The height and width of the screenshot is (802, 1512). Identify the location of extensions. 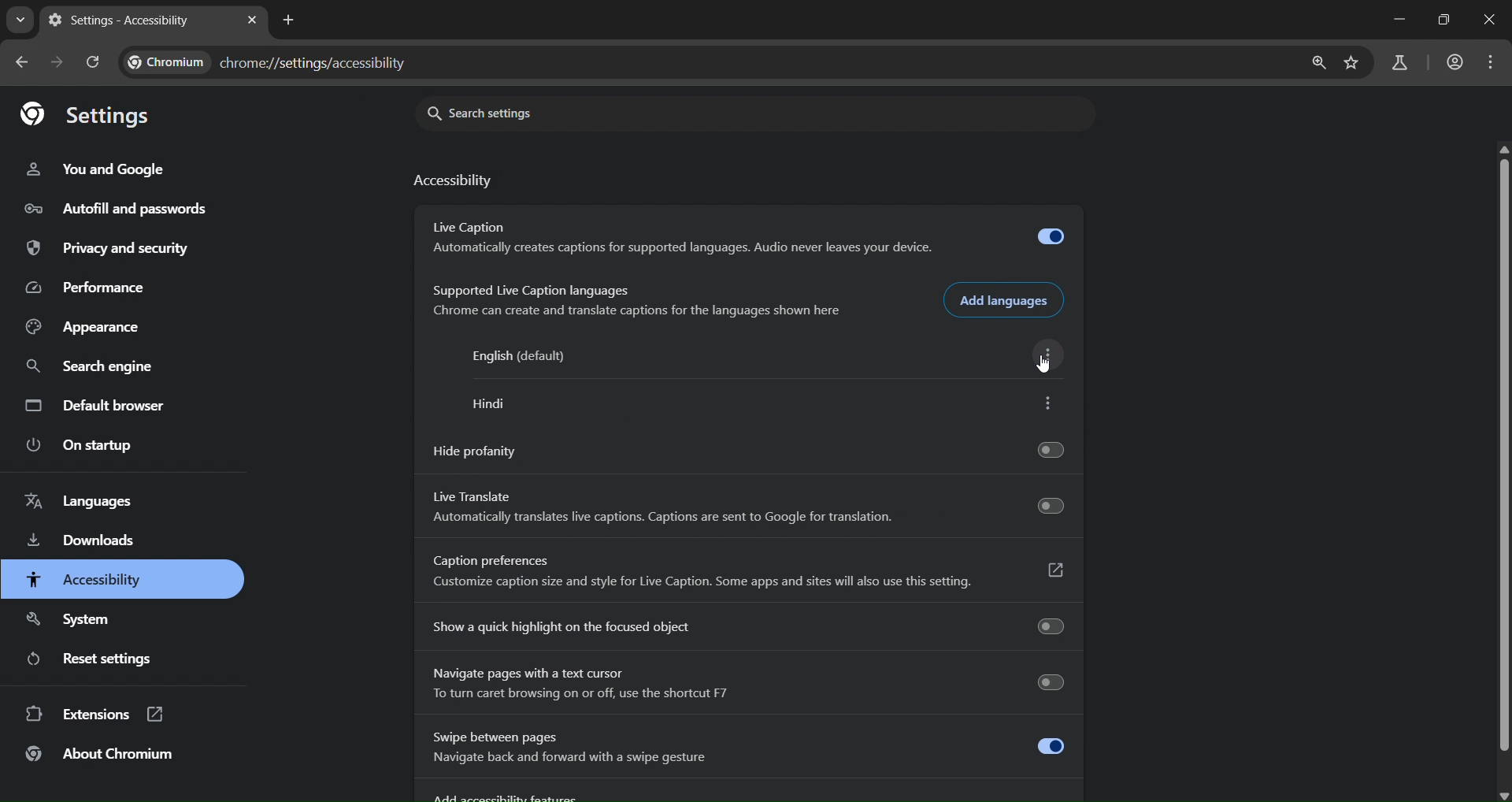
(93, 714).